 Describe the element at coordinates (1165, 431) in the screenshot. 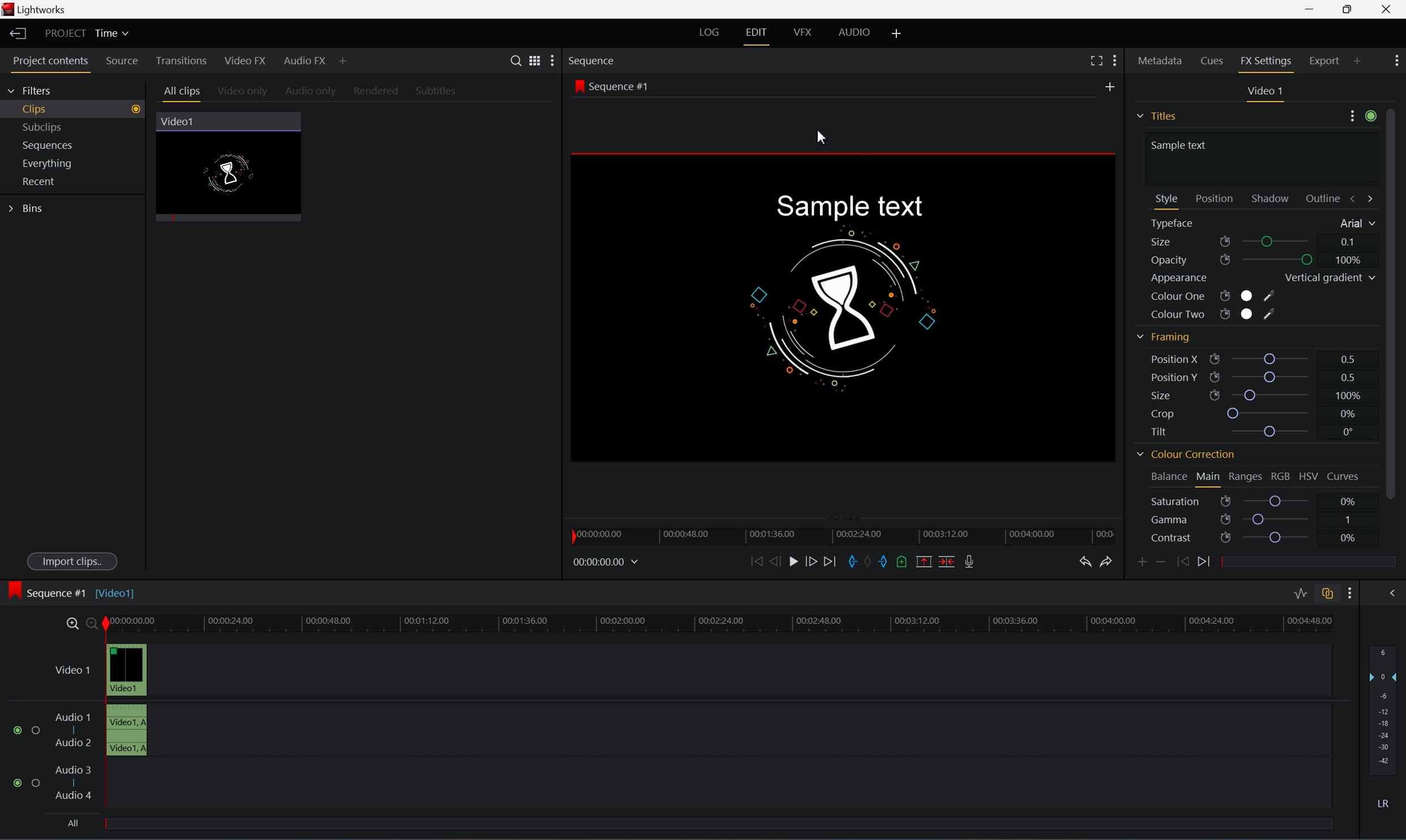

I see `tilt` at that location.